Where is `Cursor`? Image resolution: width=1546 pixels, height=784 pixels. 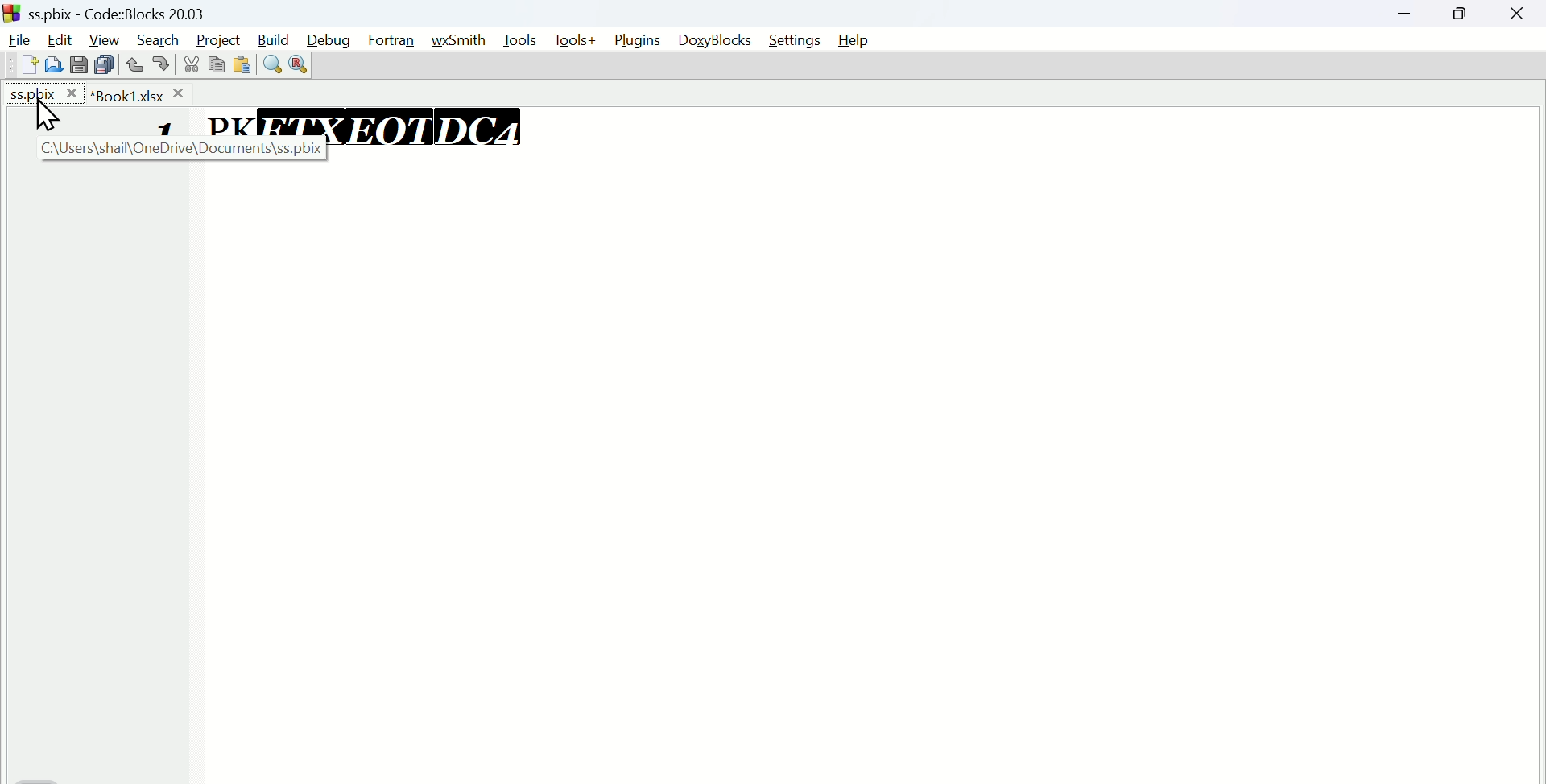 Cursor is located at coordinates (48, 113).